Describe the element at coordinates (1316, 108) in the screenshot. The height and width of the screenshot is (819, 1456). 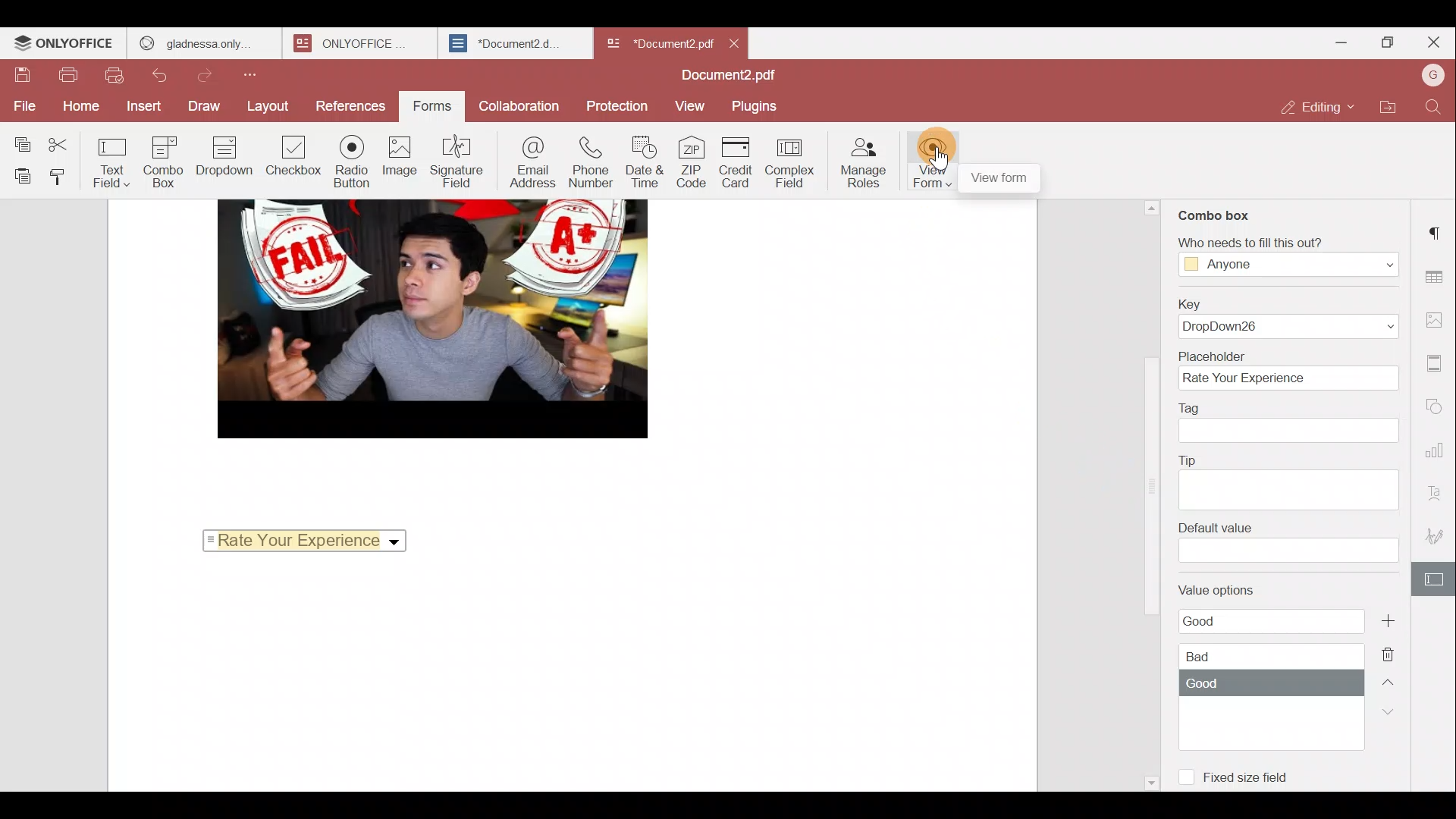
I see `Editing mode` at that location.